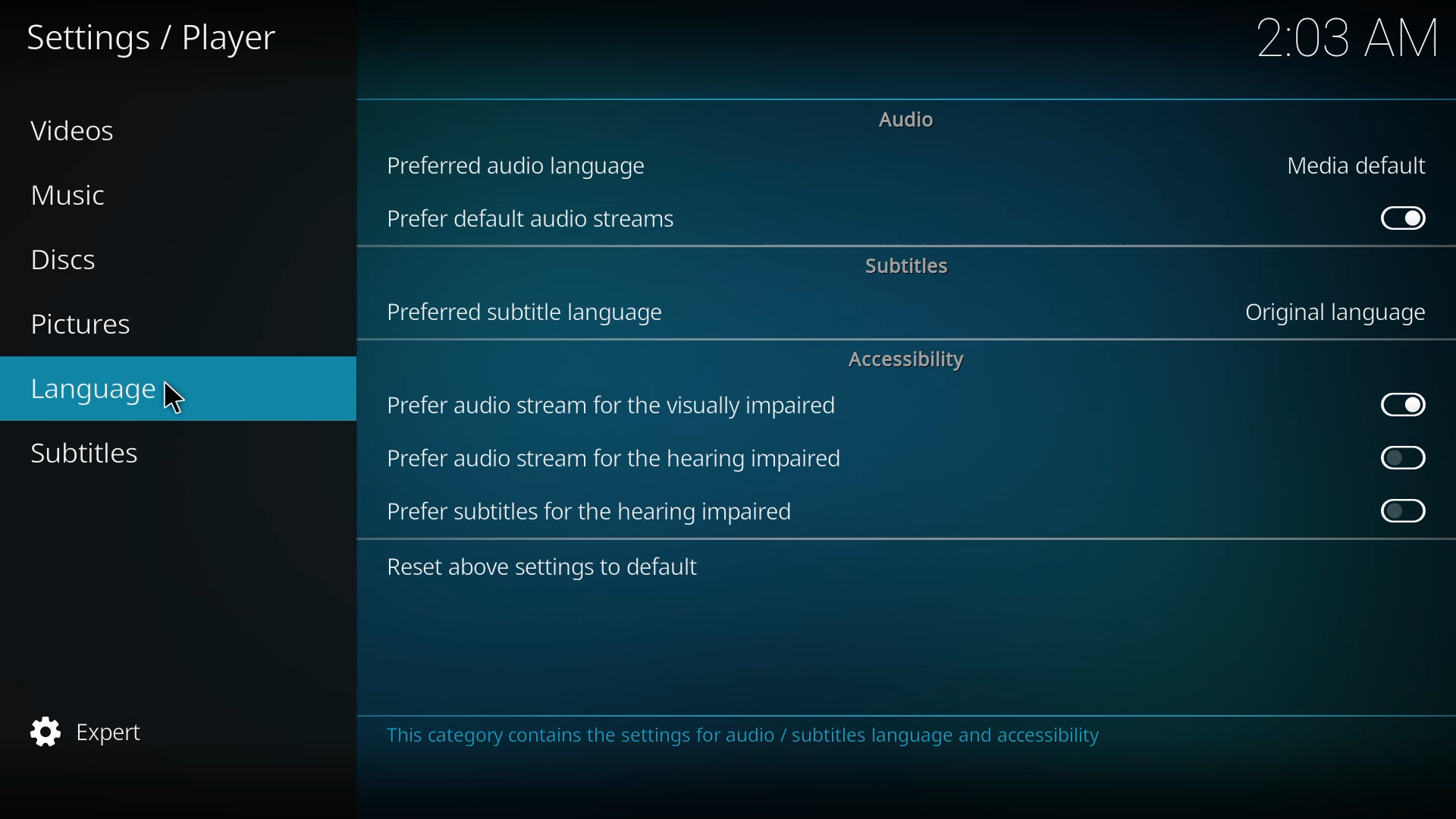 This screenshot has width=1456, height=819. What do you see at coordinates (71, 196) in the screenshot?
I see `music` at bounding box center [71, 196].